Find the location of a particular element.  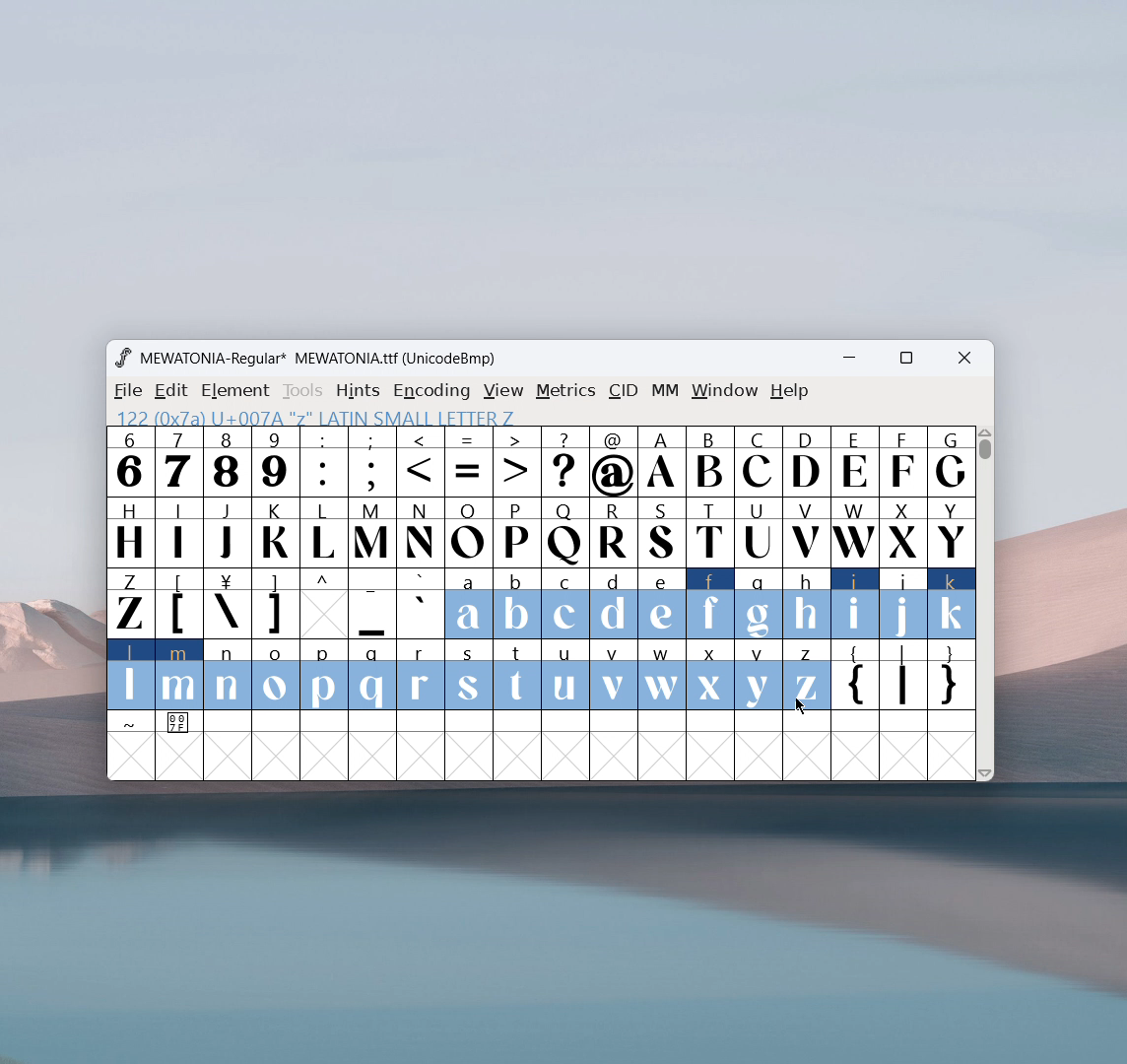

~ is located at coordinates (131, 723).